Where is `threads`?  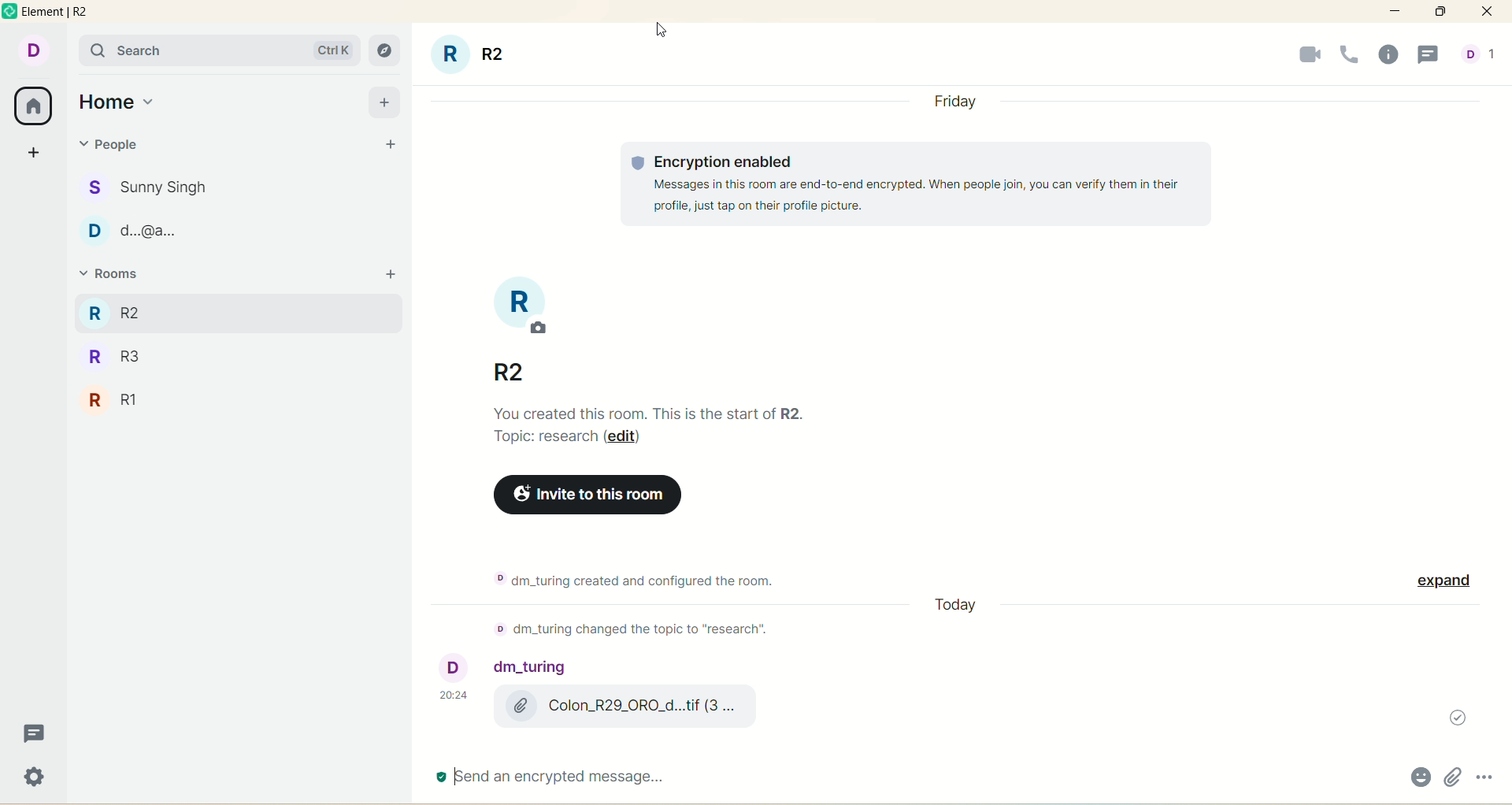 threads is located at coordinates (31, 737).